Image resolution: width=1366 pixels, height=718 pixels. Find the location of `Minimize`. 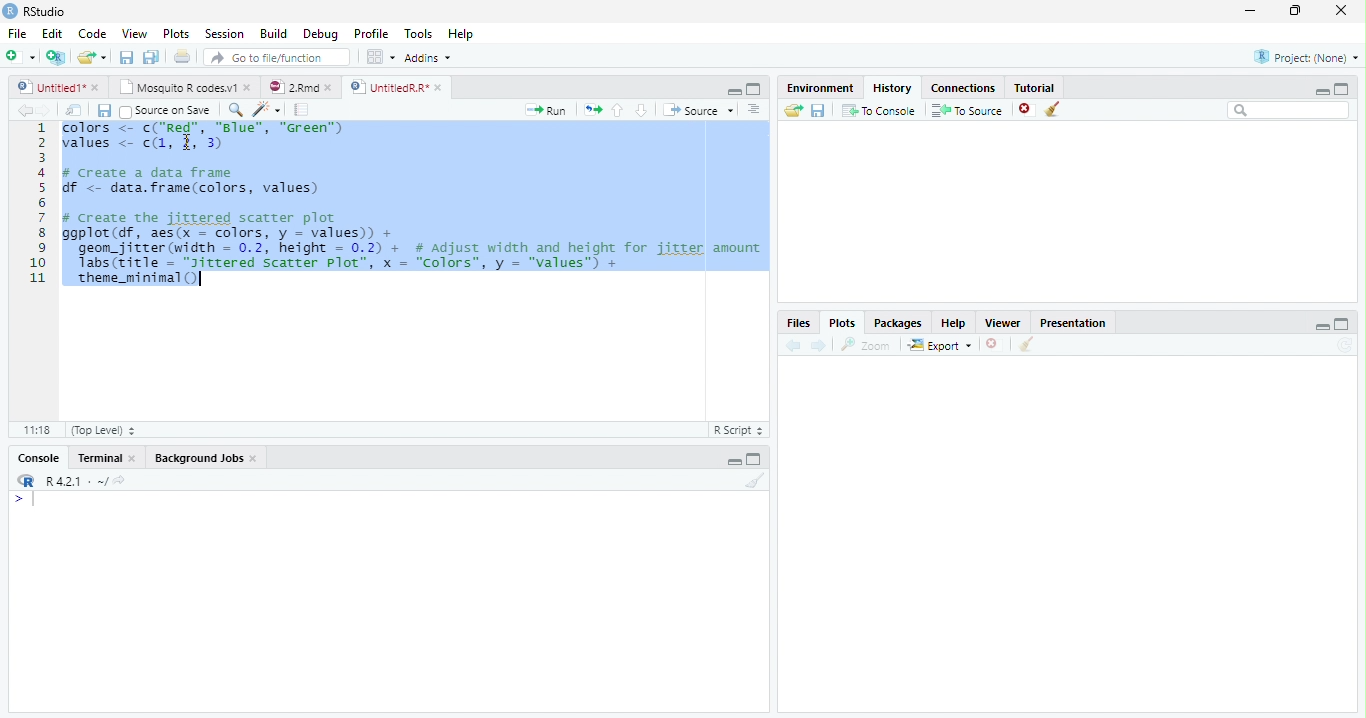

Minimize is located at coordinates (1321, 91).